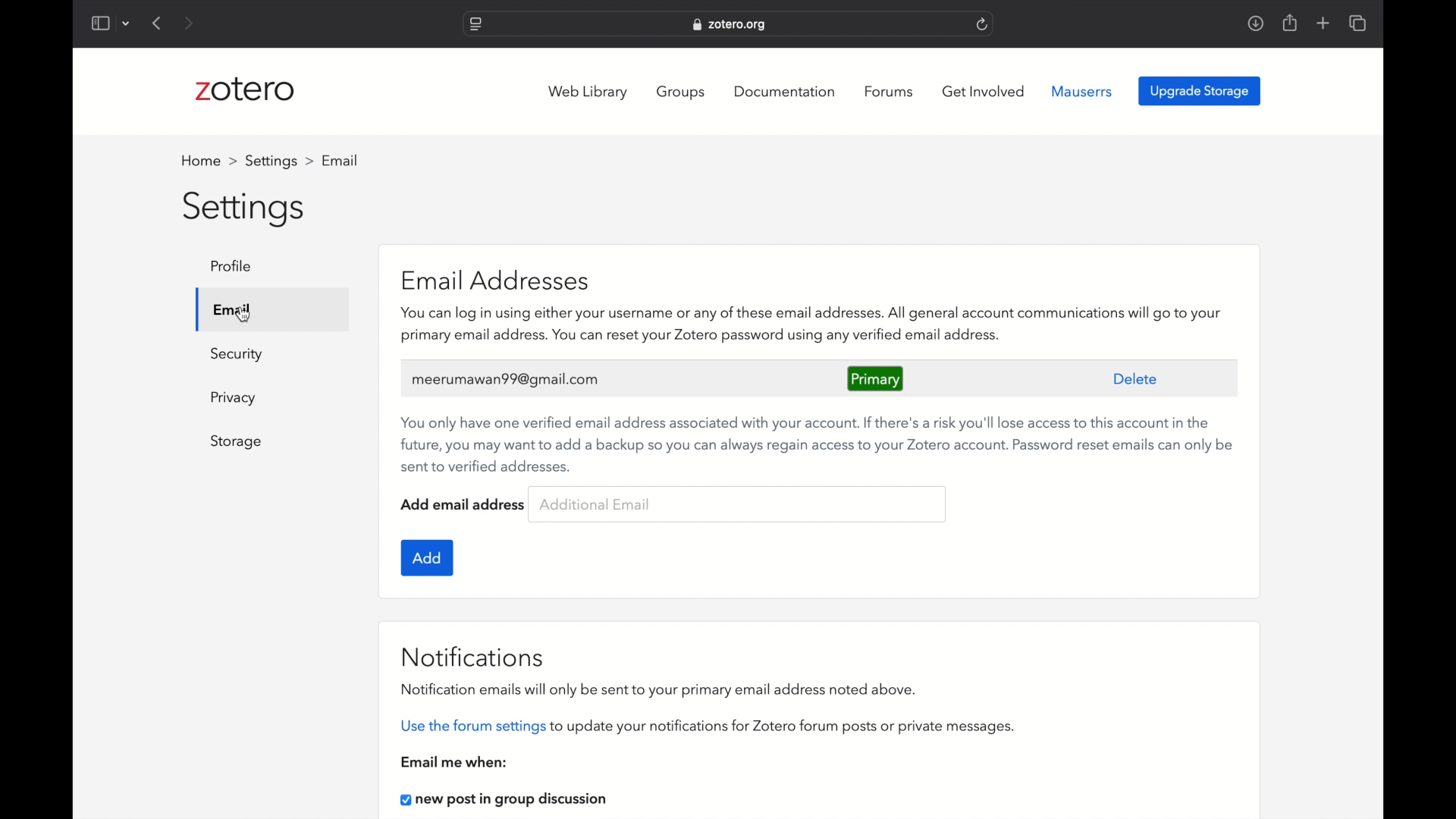  Describe the element at coordinates (209, 161) in the screenshot. I see `home` at that location.